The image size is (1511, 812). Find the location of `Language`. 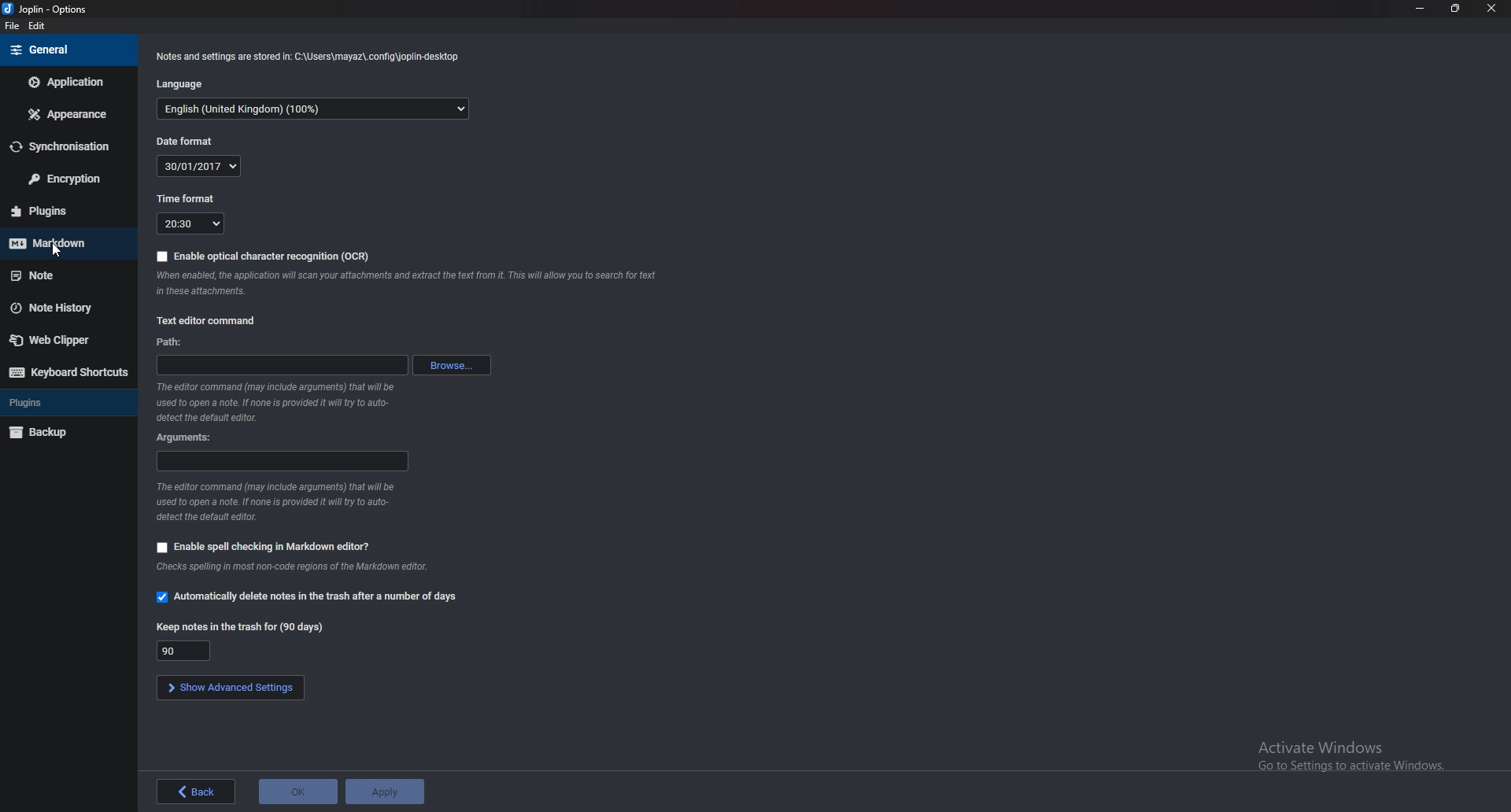

Language is located at coordinates (184, 84).